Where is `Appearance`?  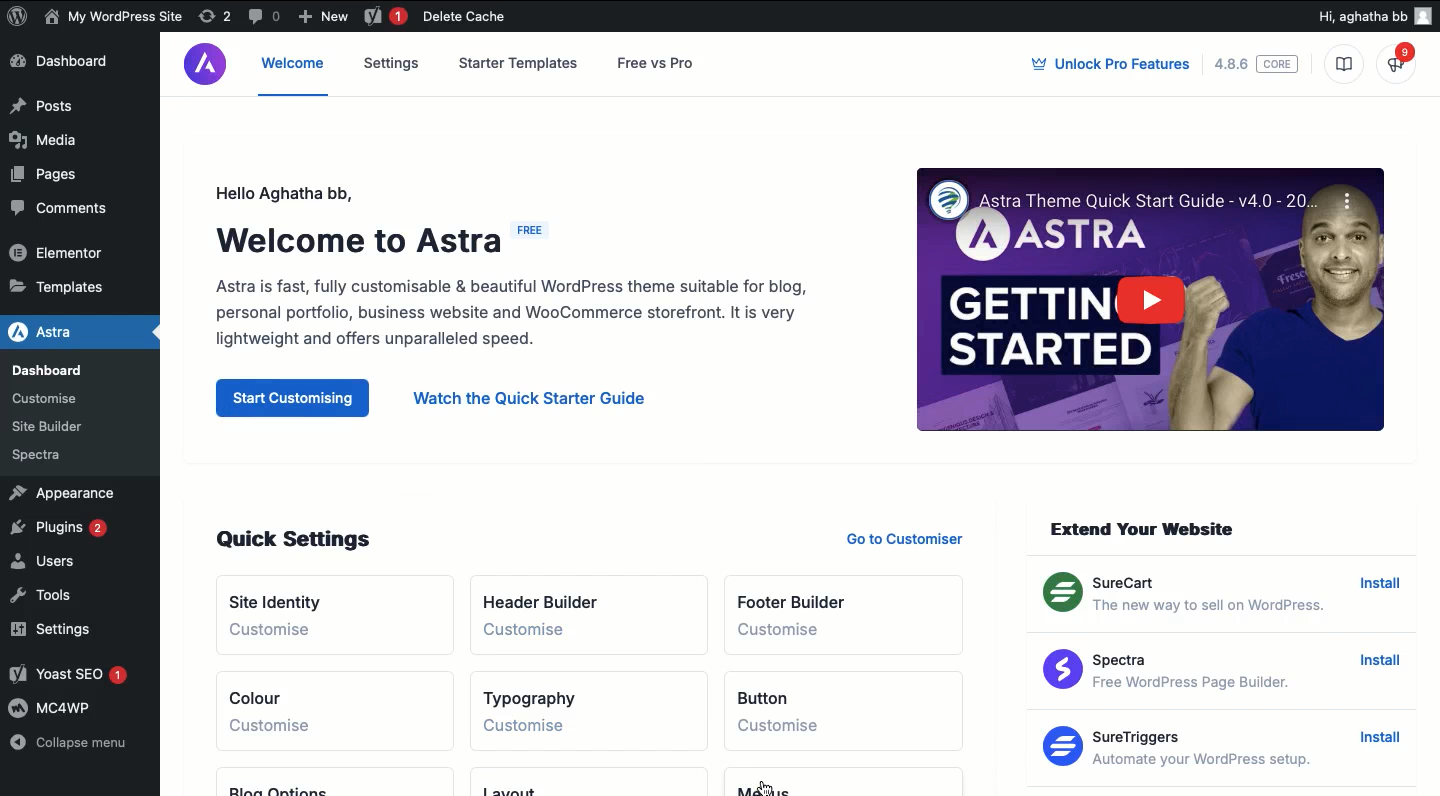
Appearance is located at coordinates (73, 494).